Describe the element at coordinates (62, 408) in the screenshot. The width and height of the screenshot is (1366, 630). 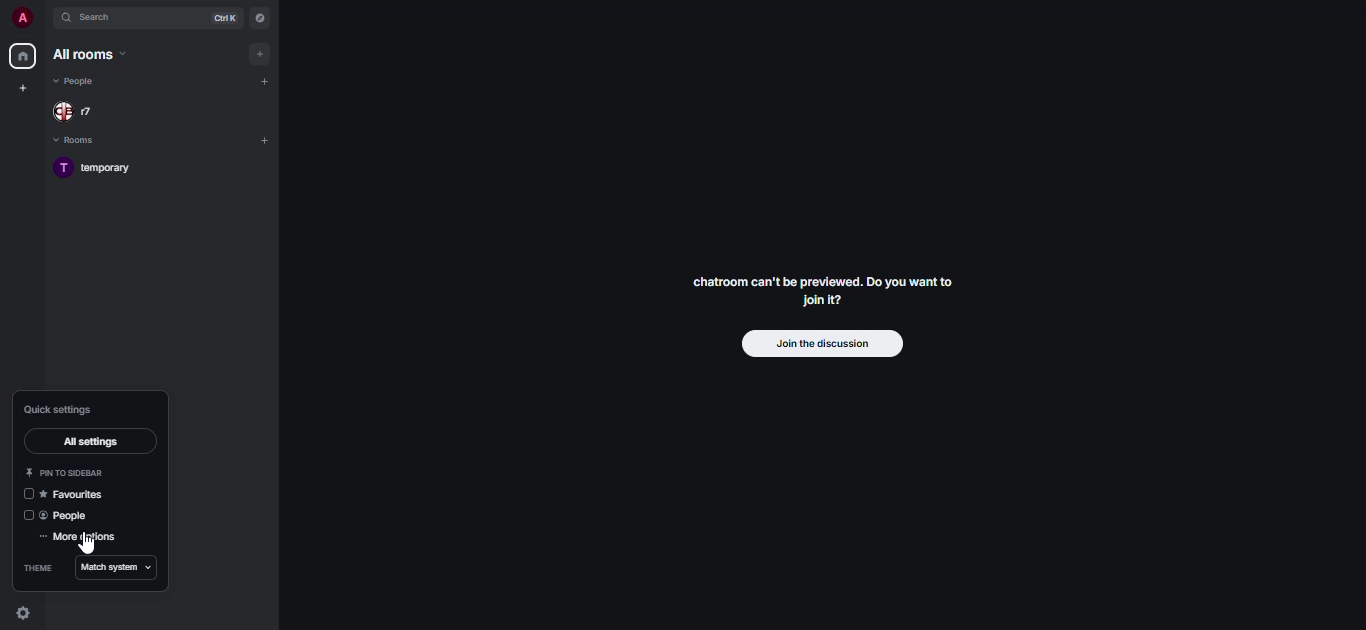
I see `quick settings` at that location.